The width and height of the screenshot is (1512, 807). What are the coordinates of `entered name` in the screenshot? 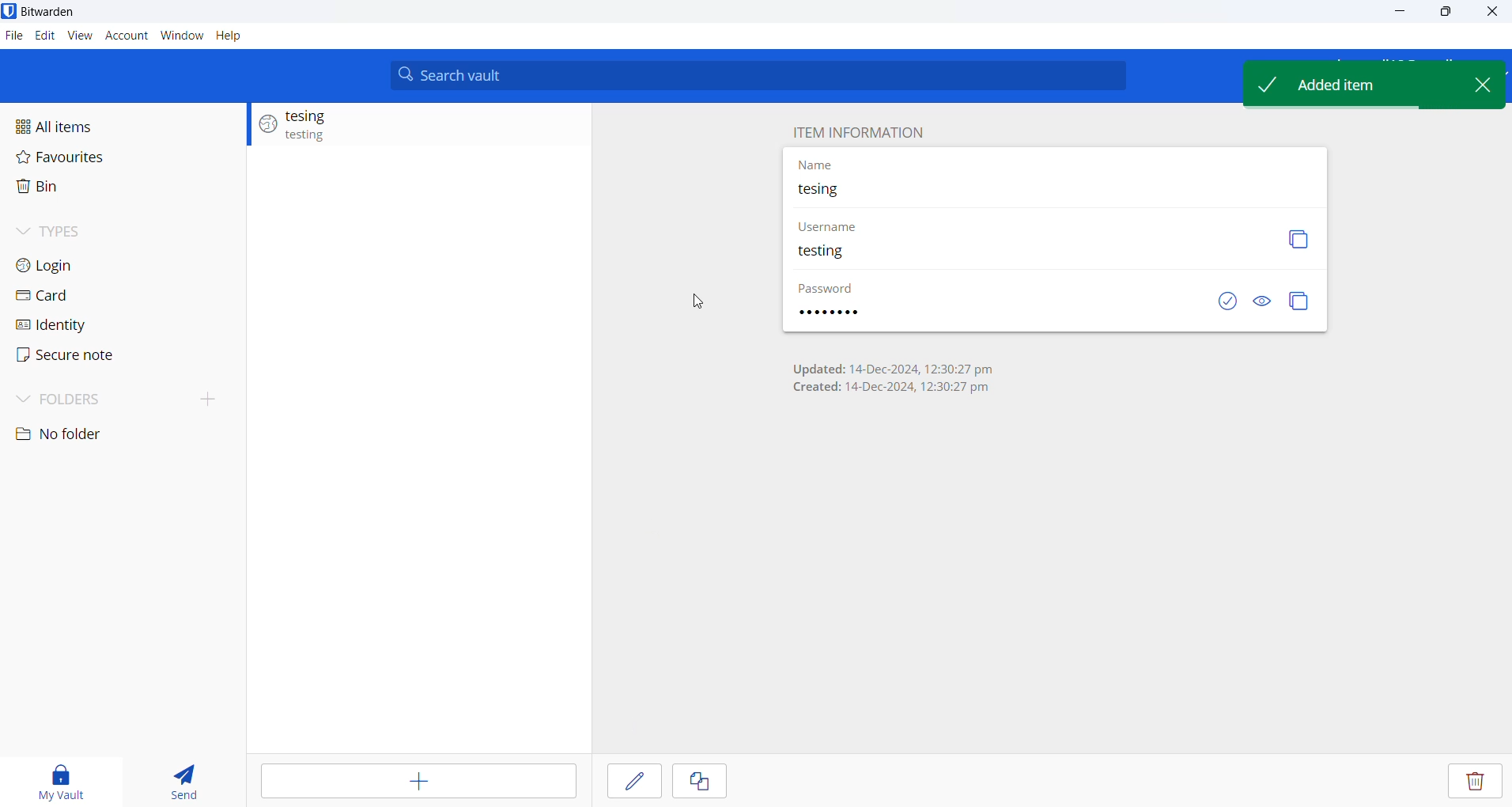 It's located at (1038, 195).